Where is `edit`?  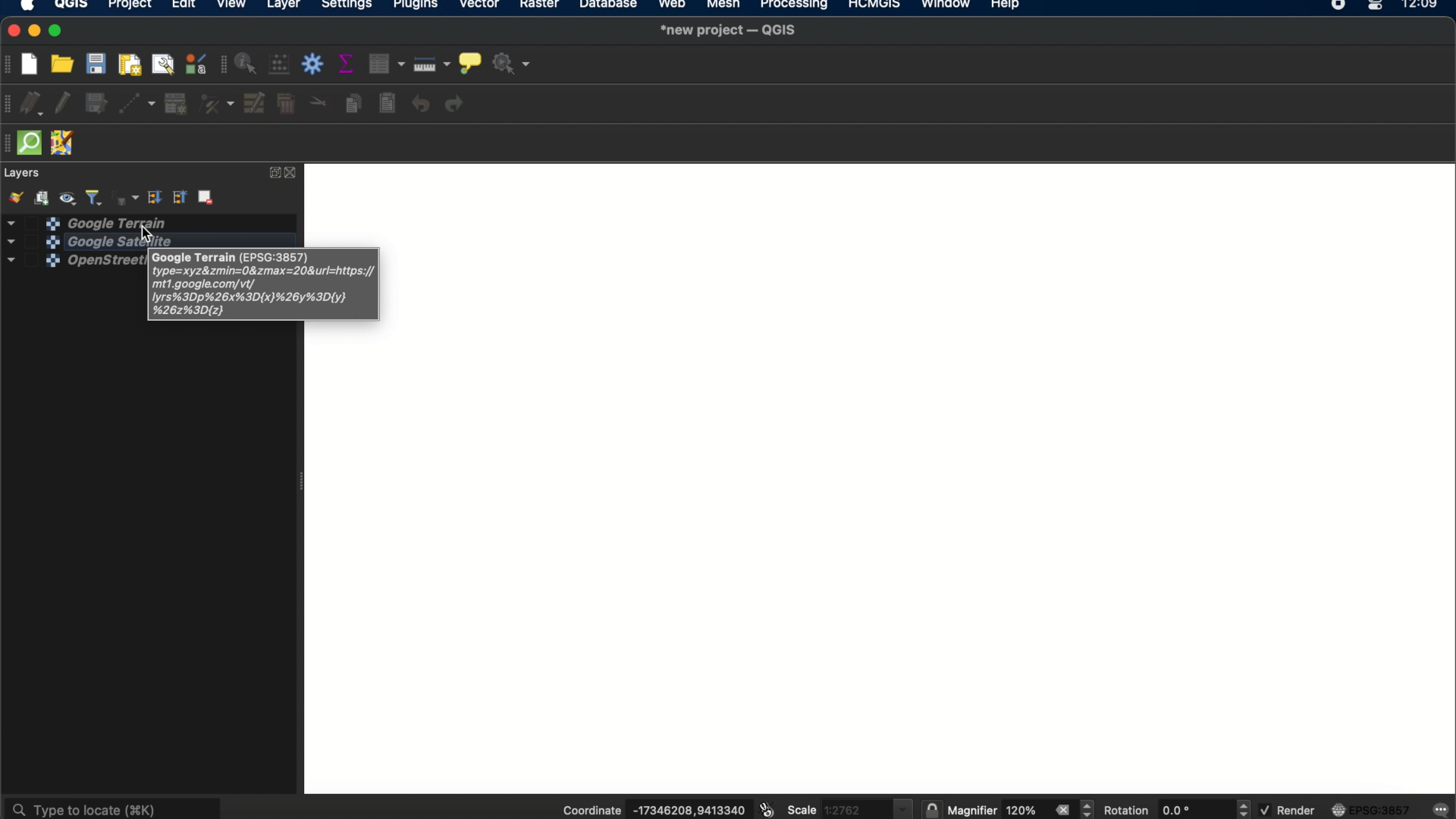 edit is located at coordinates (183, 7).